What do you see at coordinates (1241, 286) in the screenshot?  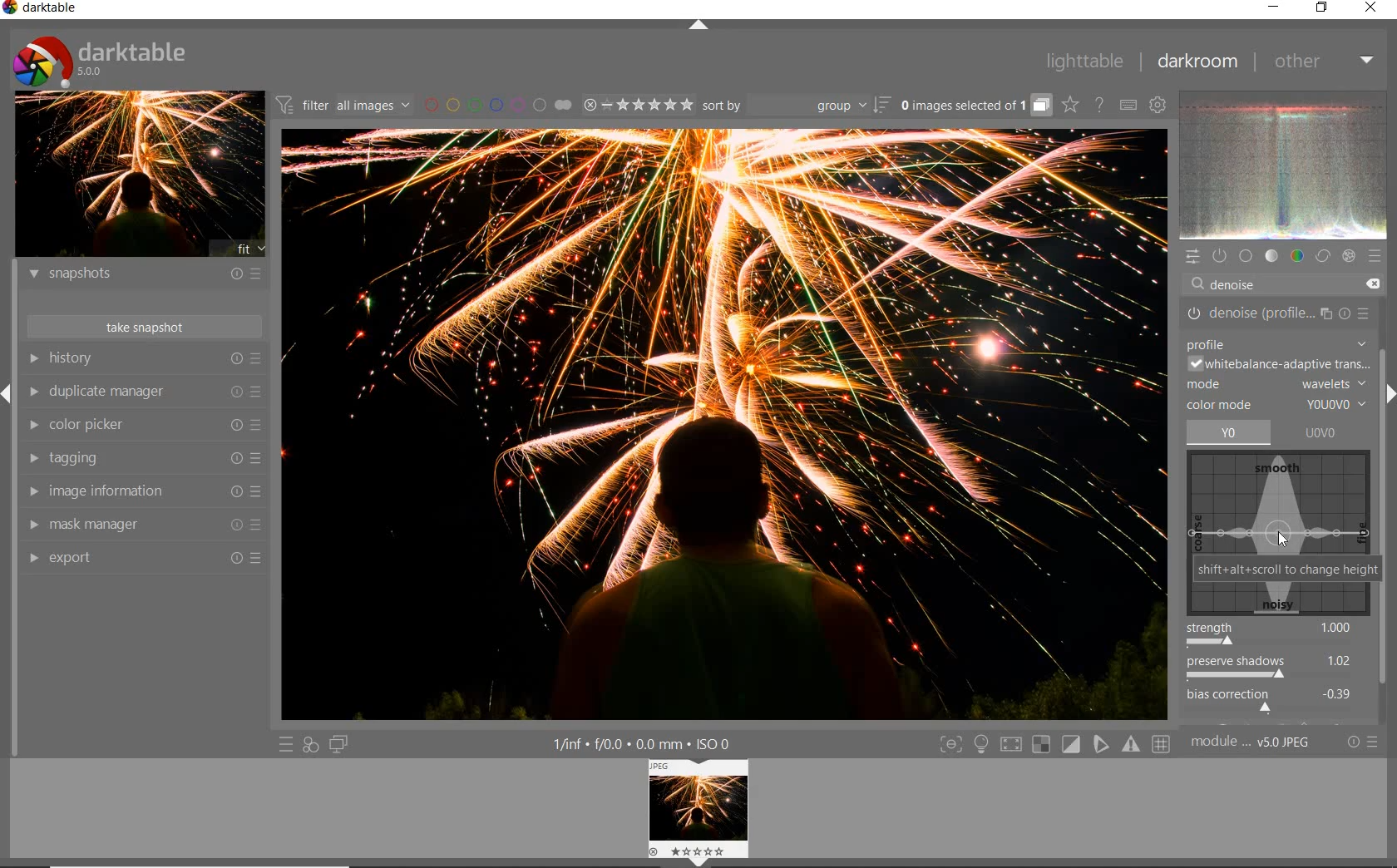 I see `DENOISE` at bounding box center [1241, 286].